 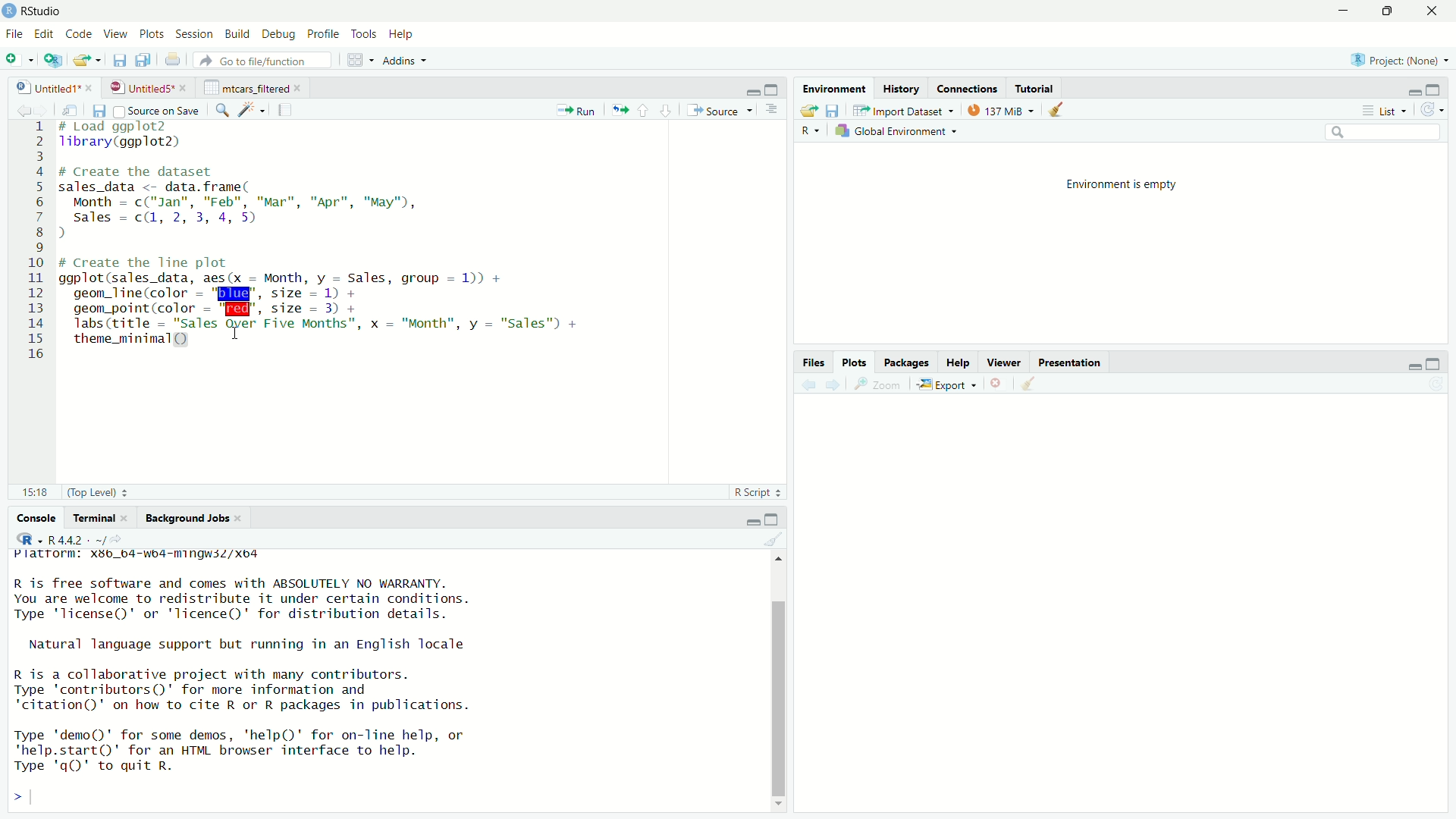 What do you see at coordinates (301, 88) in the screenshot?
I see `close` at bounding box center [301, 88].